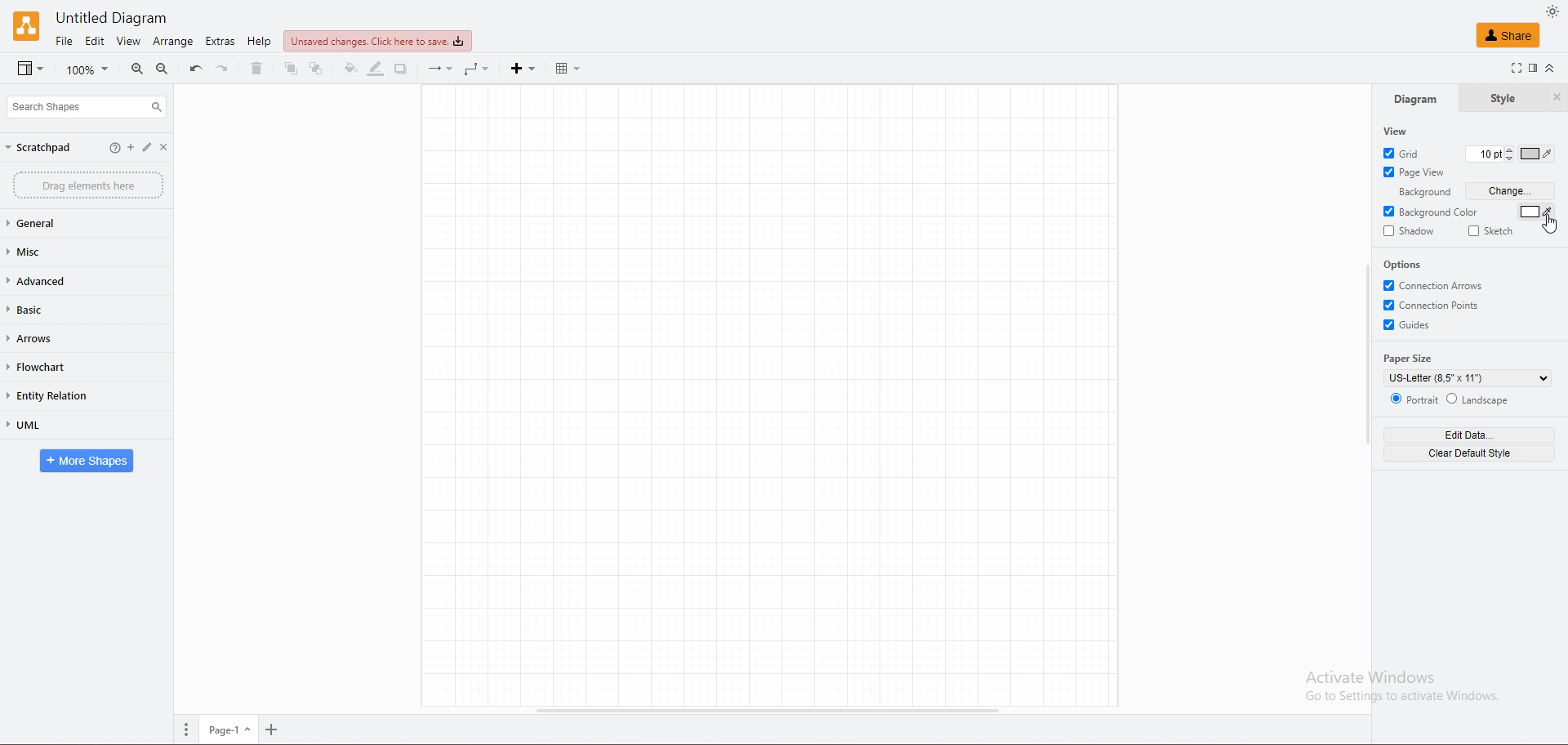 The width and height of the screenshot is (1568, 745). I want to click on paper size, so click(1411, 359).